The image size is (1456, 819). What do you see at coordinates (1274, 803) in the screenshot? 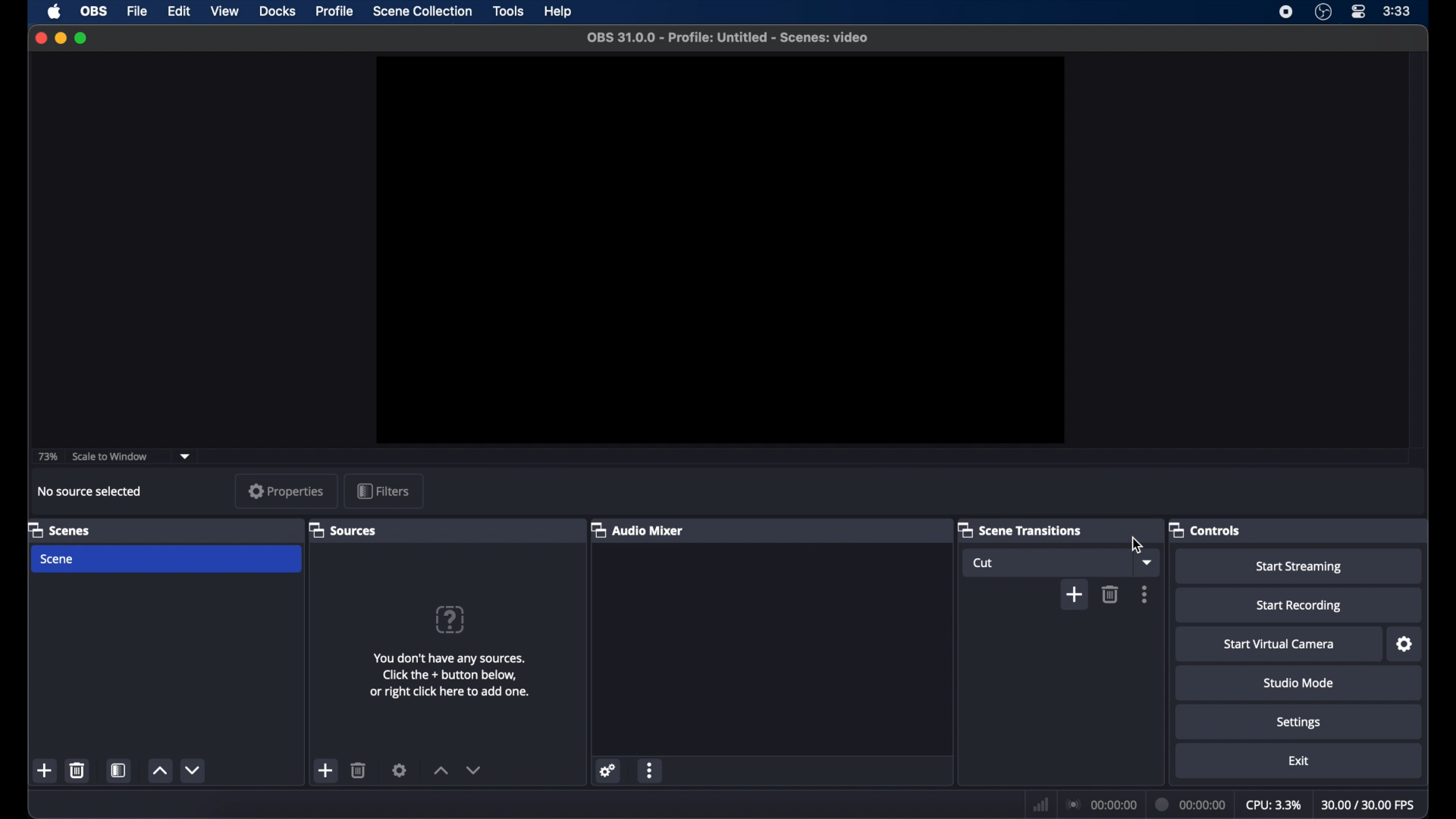
I see `cpu` at bounding box center [1274, 803].